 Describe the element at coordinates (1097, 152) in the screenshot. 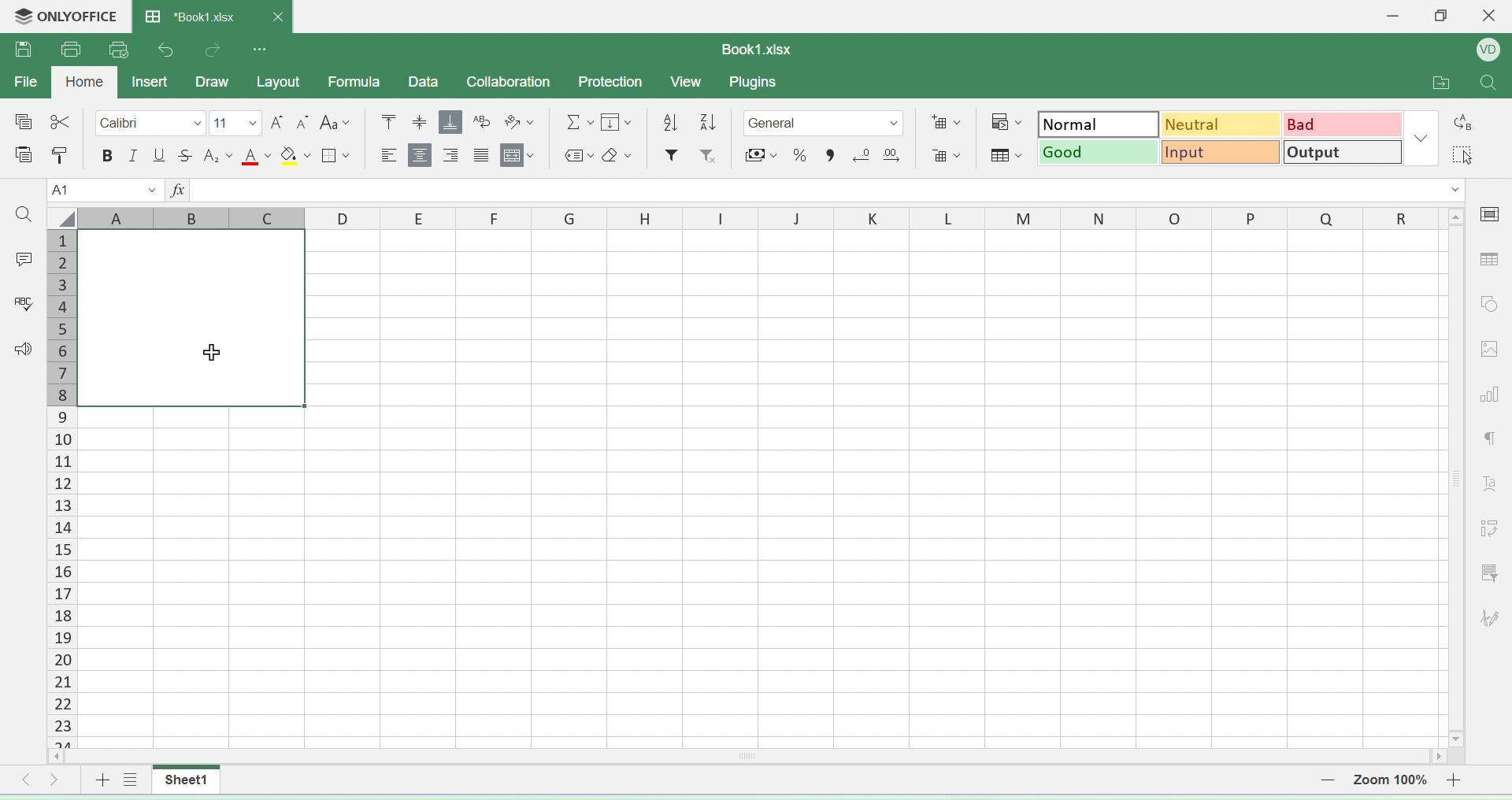

I see `good` at that location.